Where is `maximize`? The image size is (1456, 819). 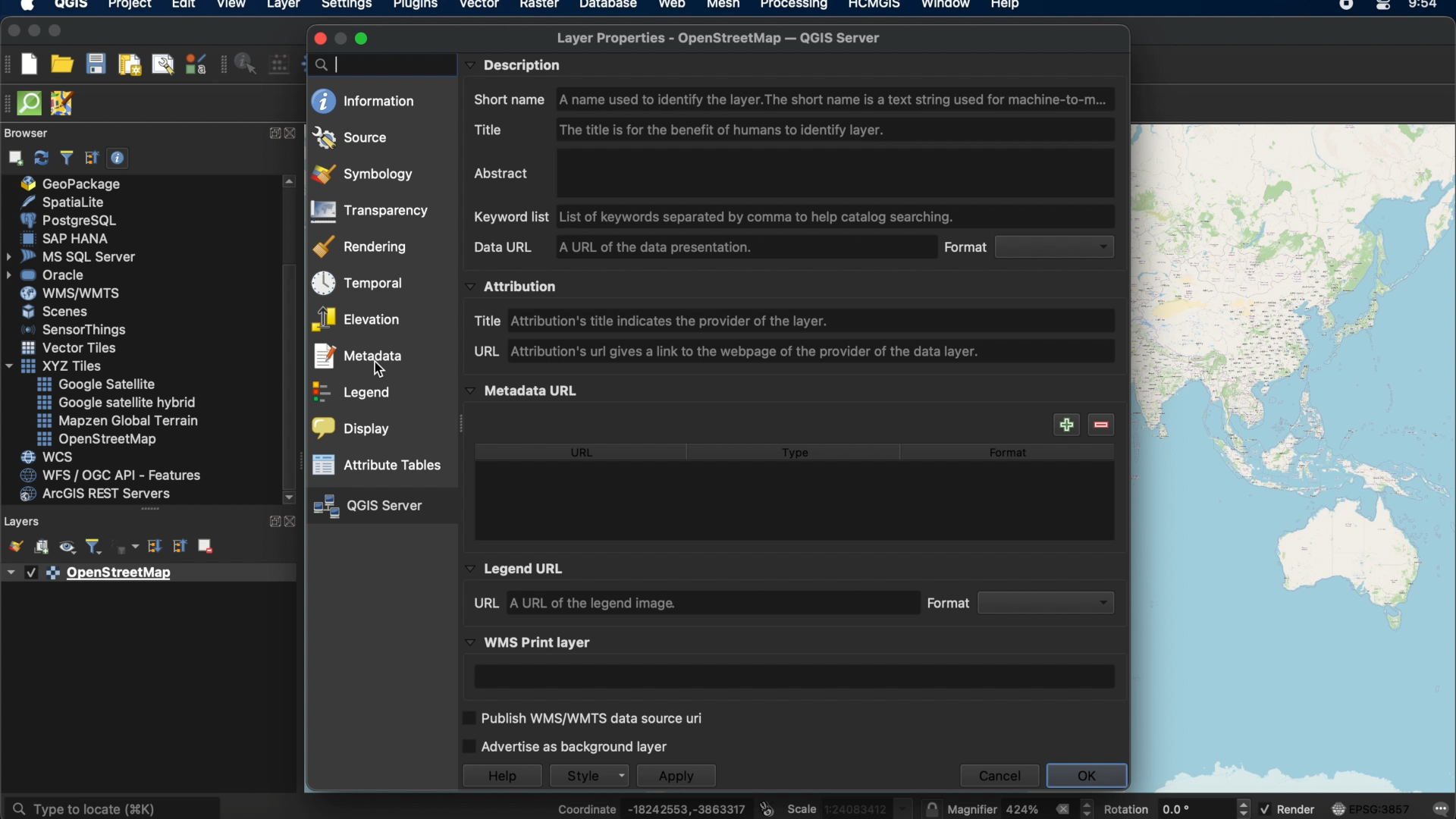
maximize is located at coordinates (57, 30).